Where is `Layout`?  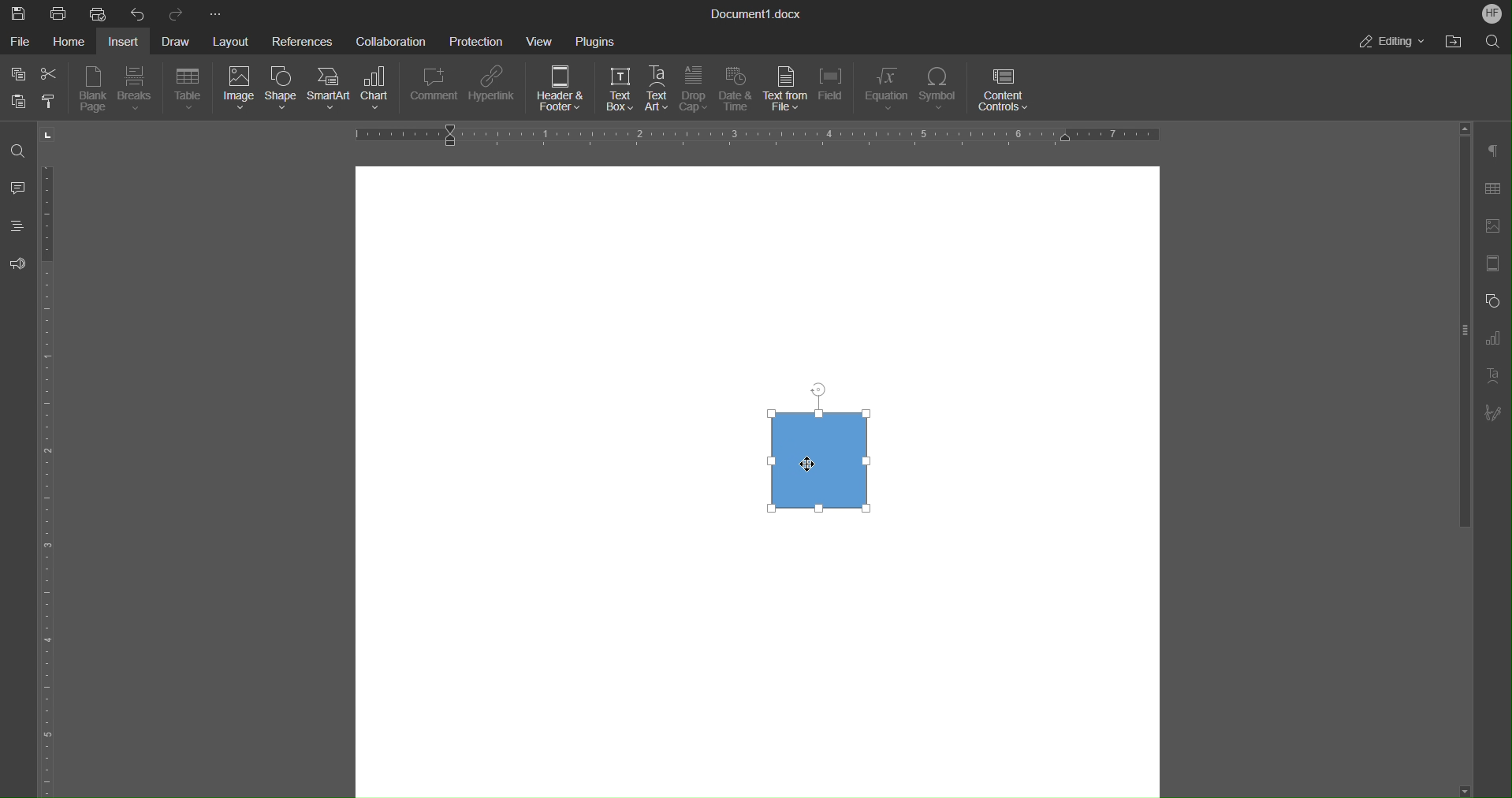
Layout is located at coordinates (233, 39).